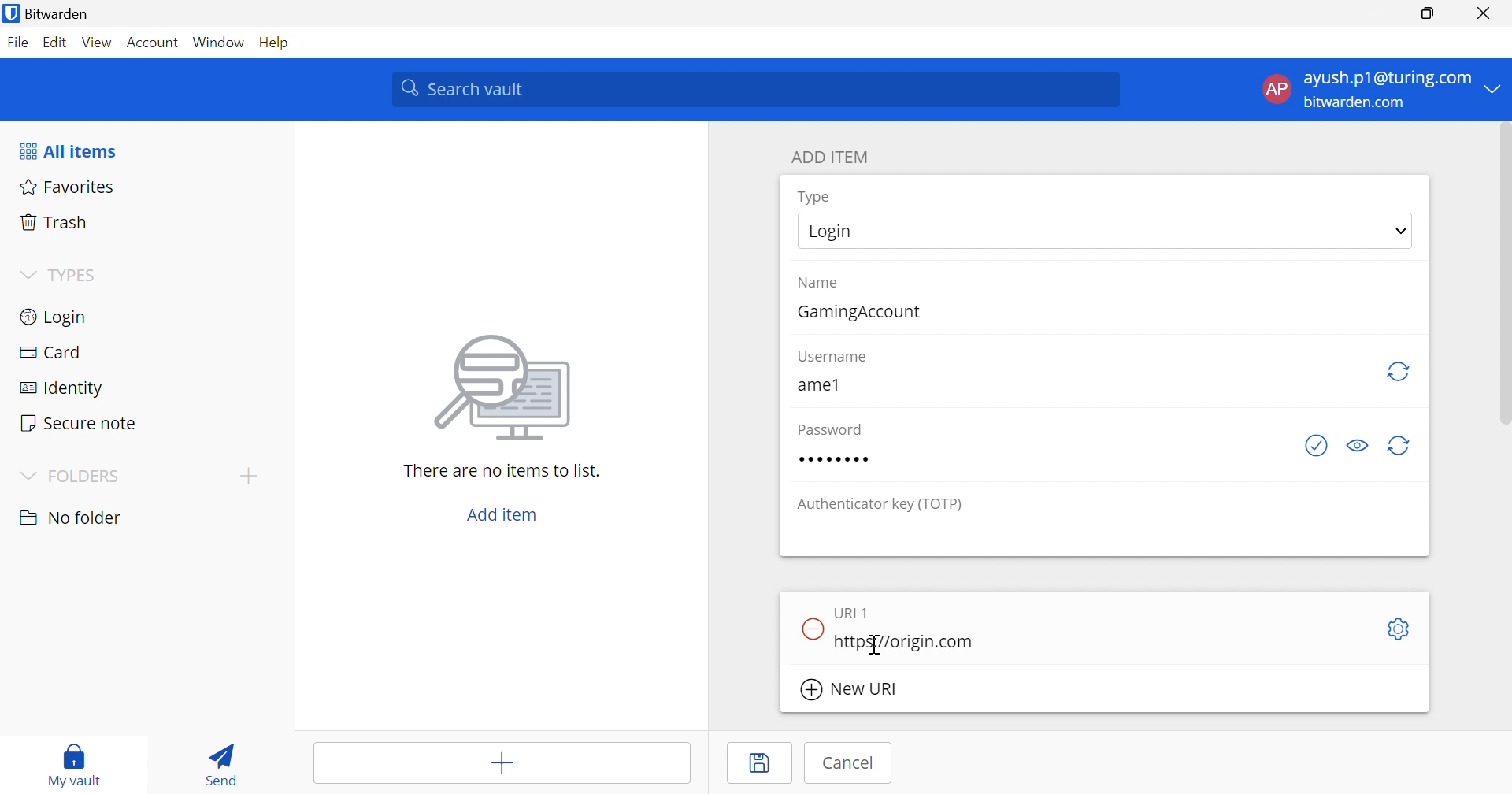 Image resolution: width=1512 pixels, height=794 pixels. Describe the element at coordinates (220, 762) in the screenshot. I see `Send` at that location.